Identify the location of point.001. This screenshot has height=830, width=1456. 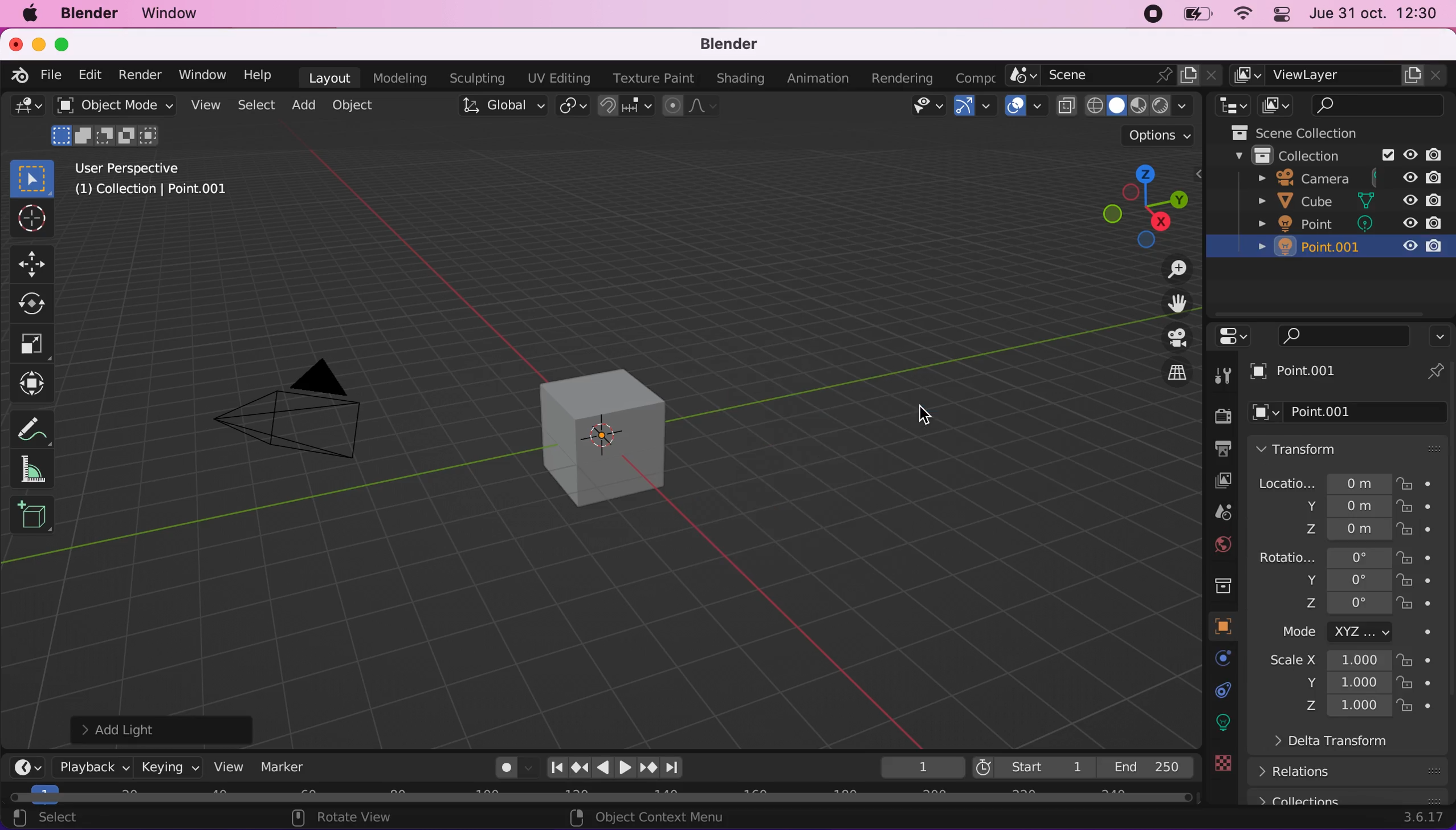
(1340, 409).